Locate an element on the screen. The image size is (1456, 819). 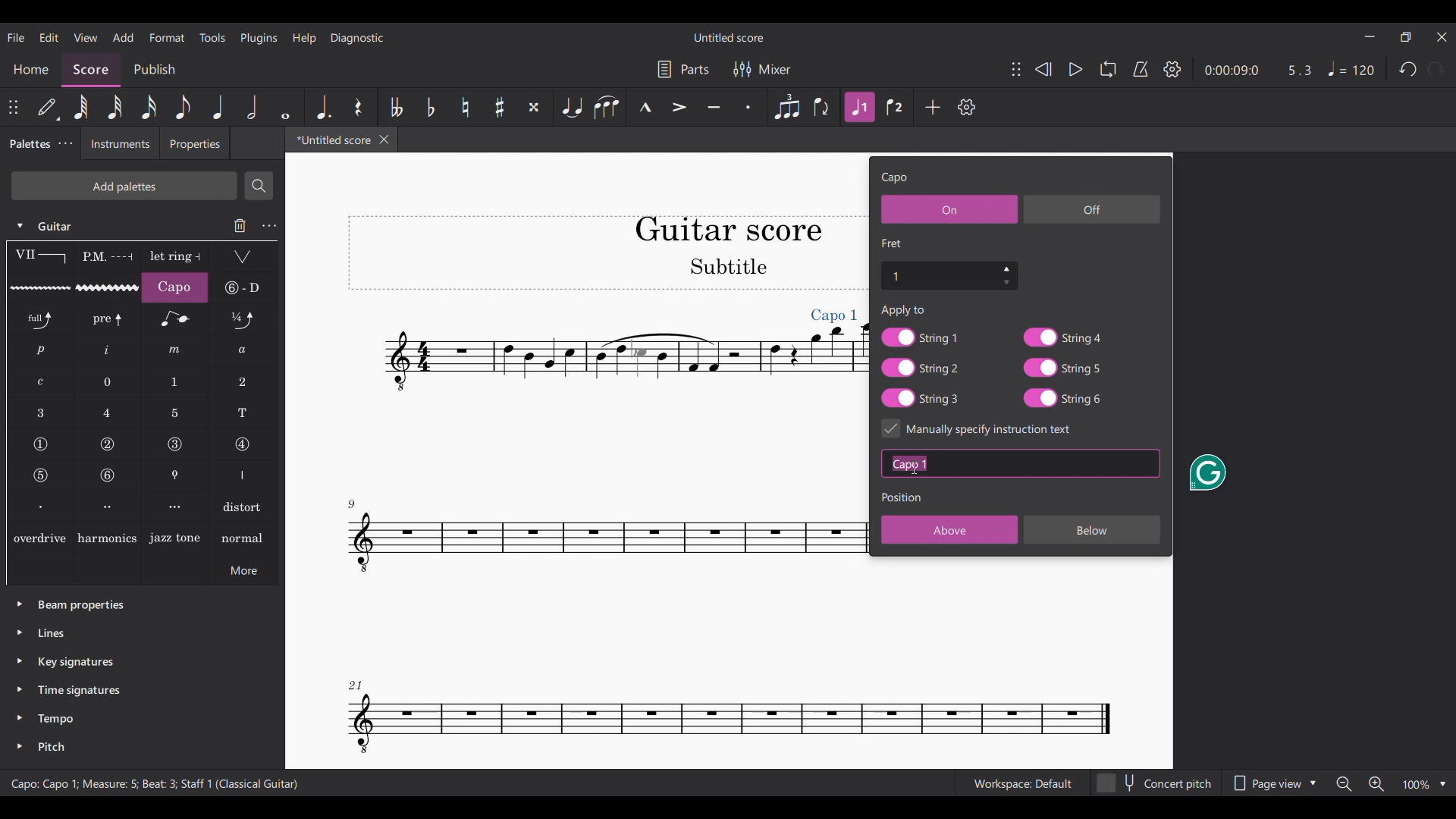
Tuplet is located at coordinates (786, 107).